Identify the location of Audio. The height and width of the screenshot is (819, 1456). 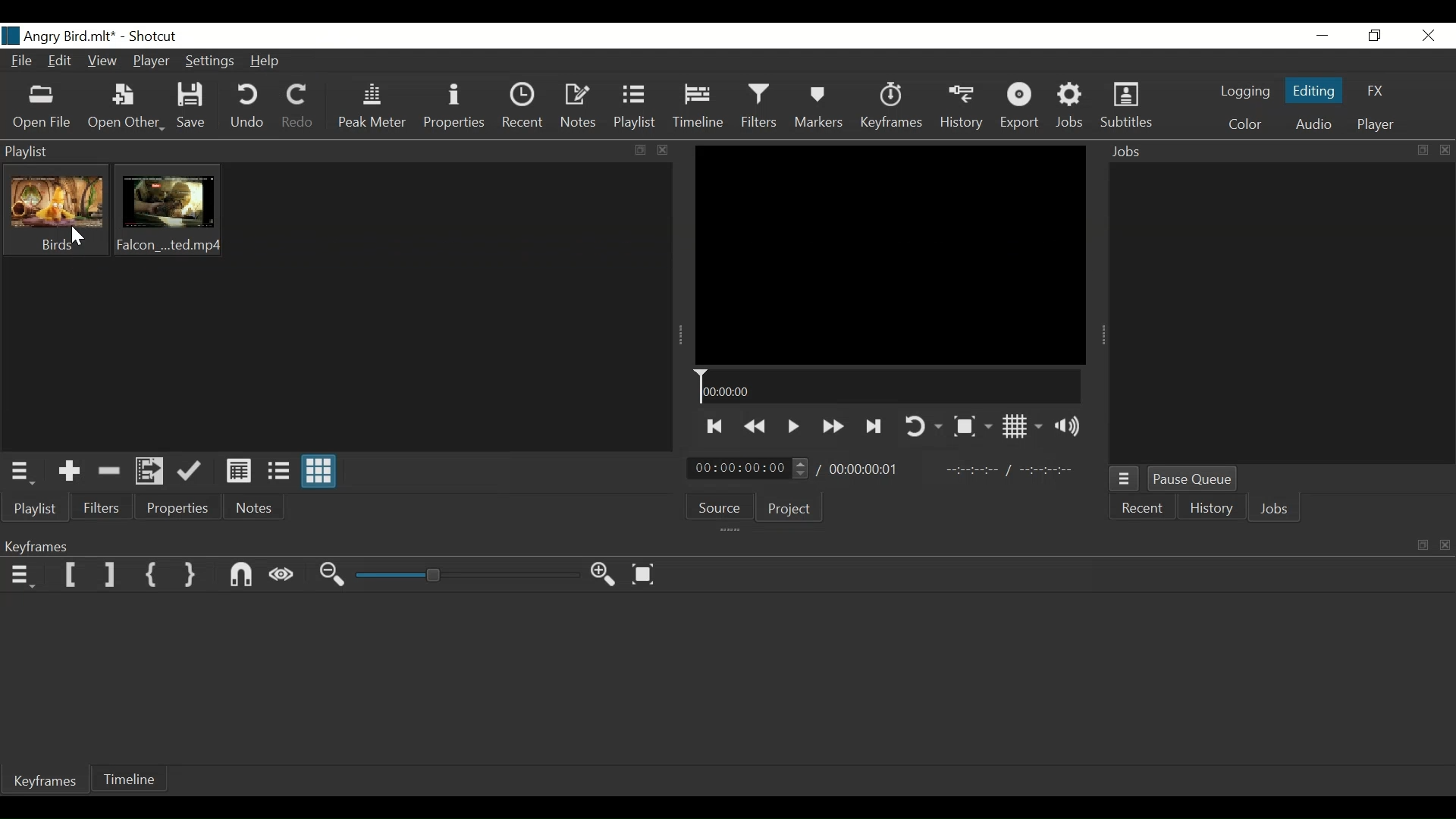
(1311, 124).